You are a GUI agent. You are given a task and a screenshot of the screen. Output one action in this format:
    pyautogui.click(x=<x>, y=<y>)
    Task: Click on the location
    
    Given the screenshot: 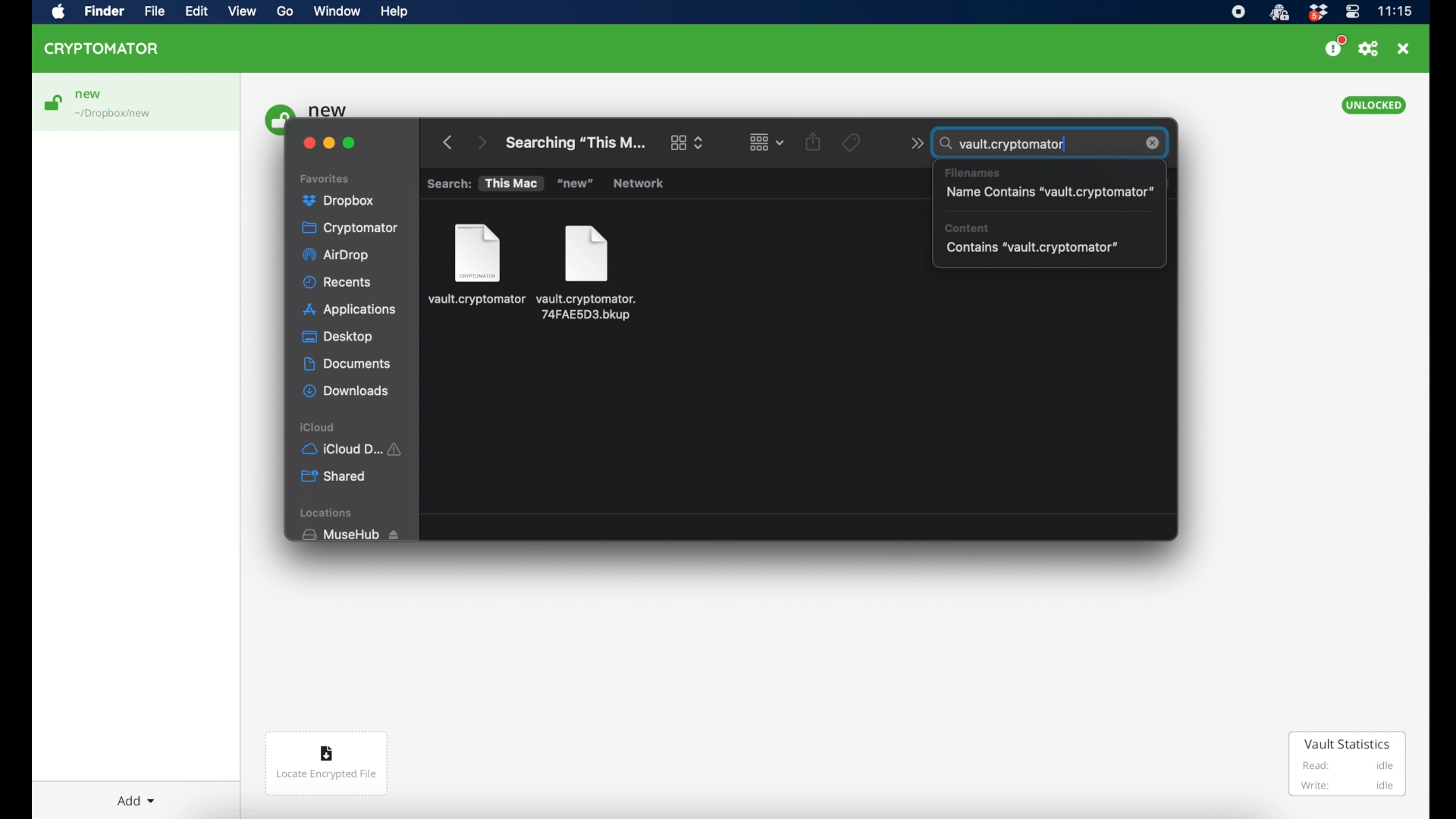 What is the action you would take?
    pyautogui.click(x=115, y=115)
    